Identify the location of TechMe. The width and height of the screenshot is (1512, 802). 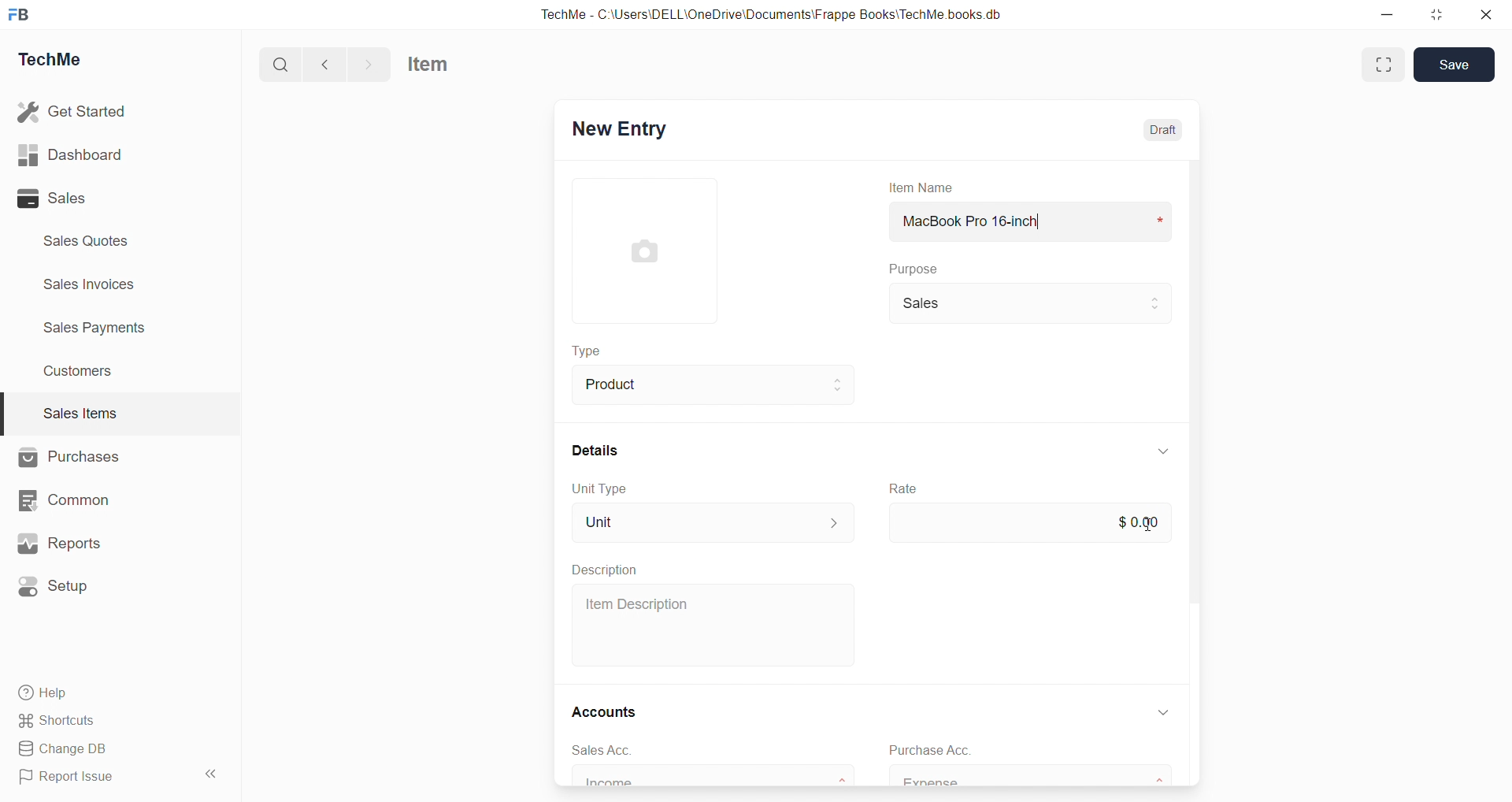
(55, 58).